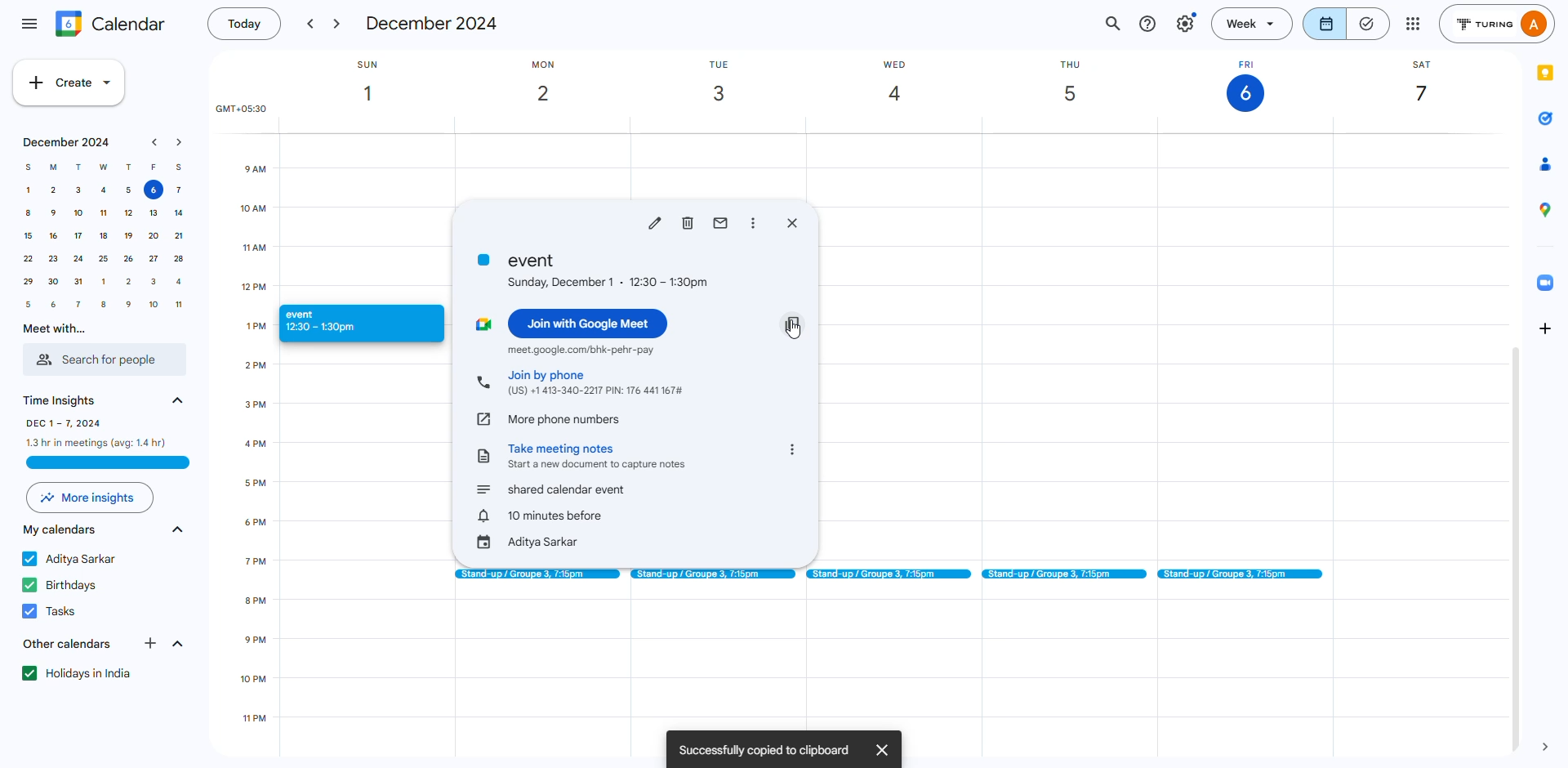 Image resolution: width=1568 pixels, height=768 pixels. I want to click on app, so click(1547, 279).